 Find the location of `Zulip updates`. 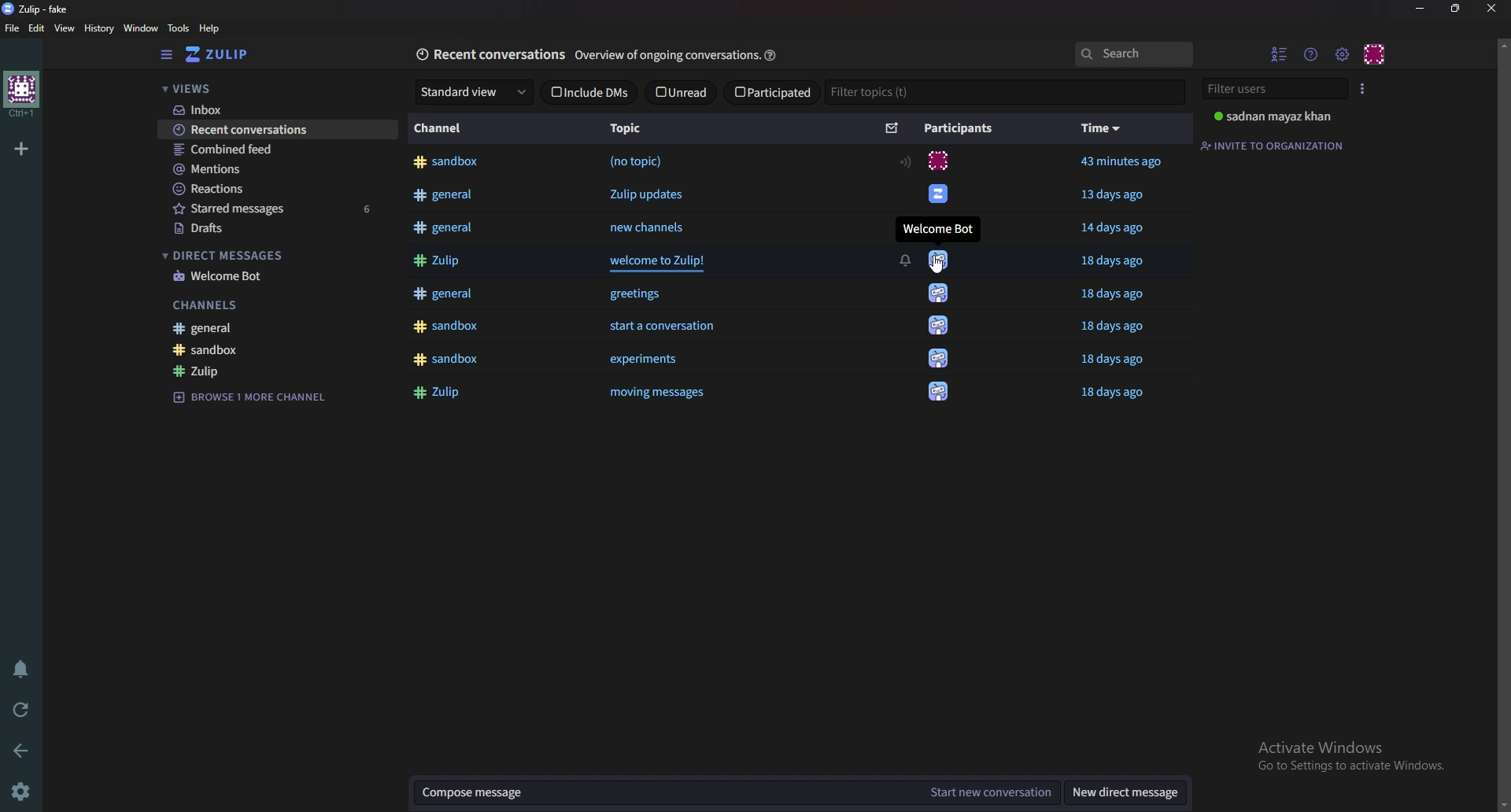

Zulip updates is located at coordinates (645, 196).